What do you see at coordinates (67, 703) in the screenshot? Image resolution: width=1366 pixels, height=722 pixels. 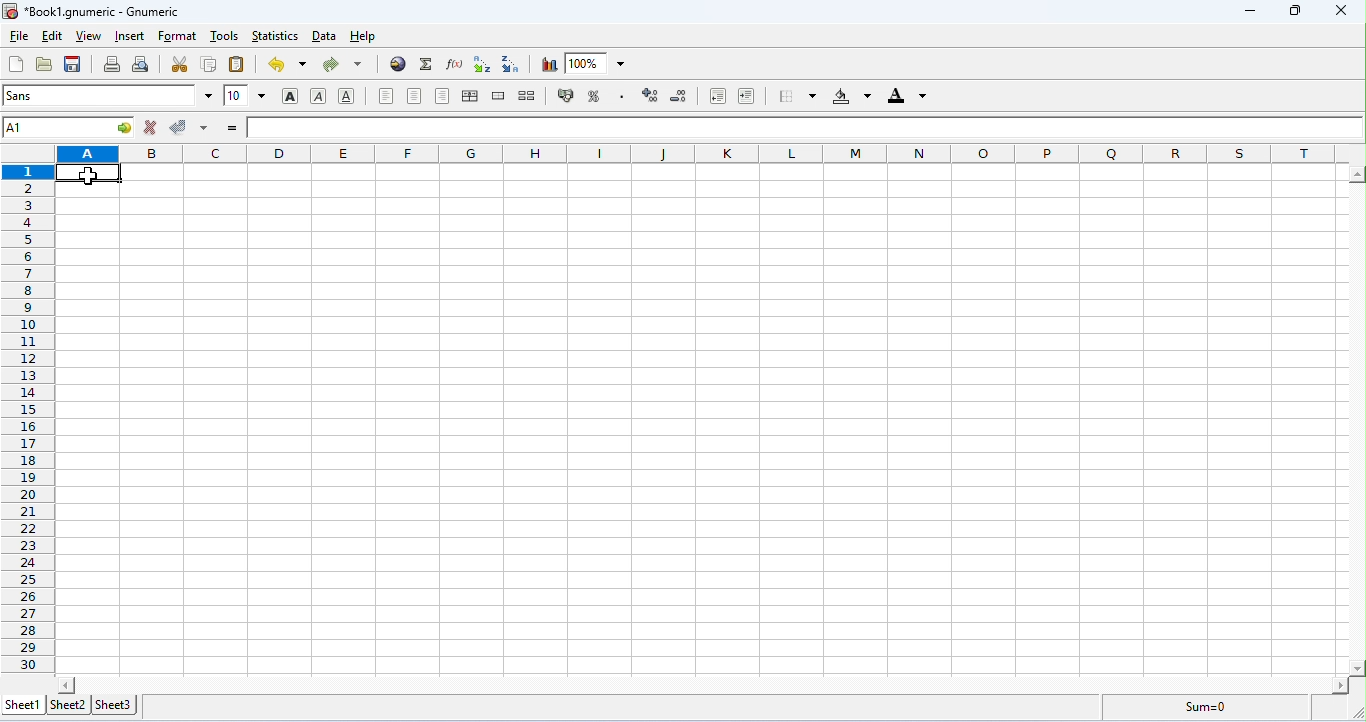 I see `sheet2` at bounding box center [67, 703].